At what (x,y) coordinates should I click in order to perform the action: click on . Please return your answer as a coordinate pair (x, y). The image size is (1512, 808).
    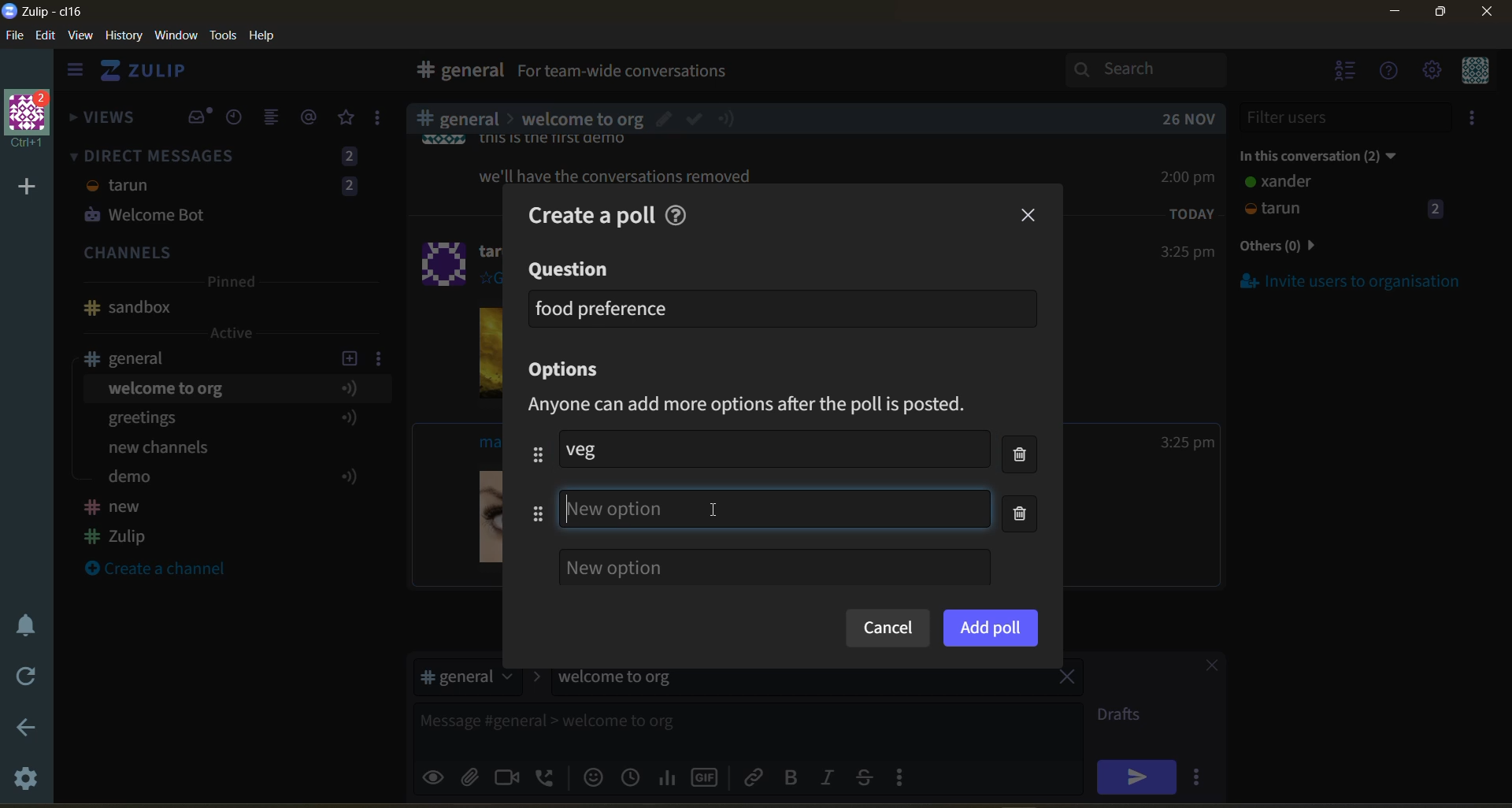
    Looking at the image, I should click on (619, 176).